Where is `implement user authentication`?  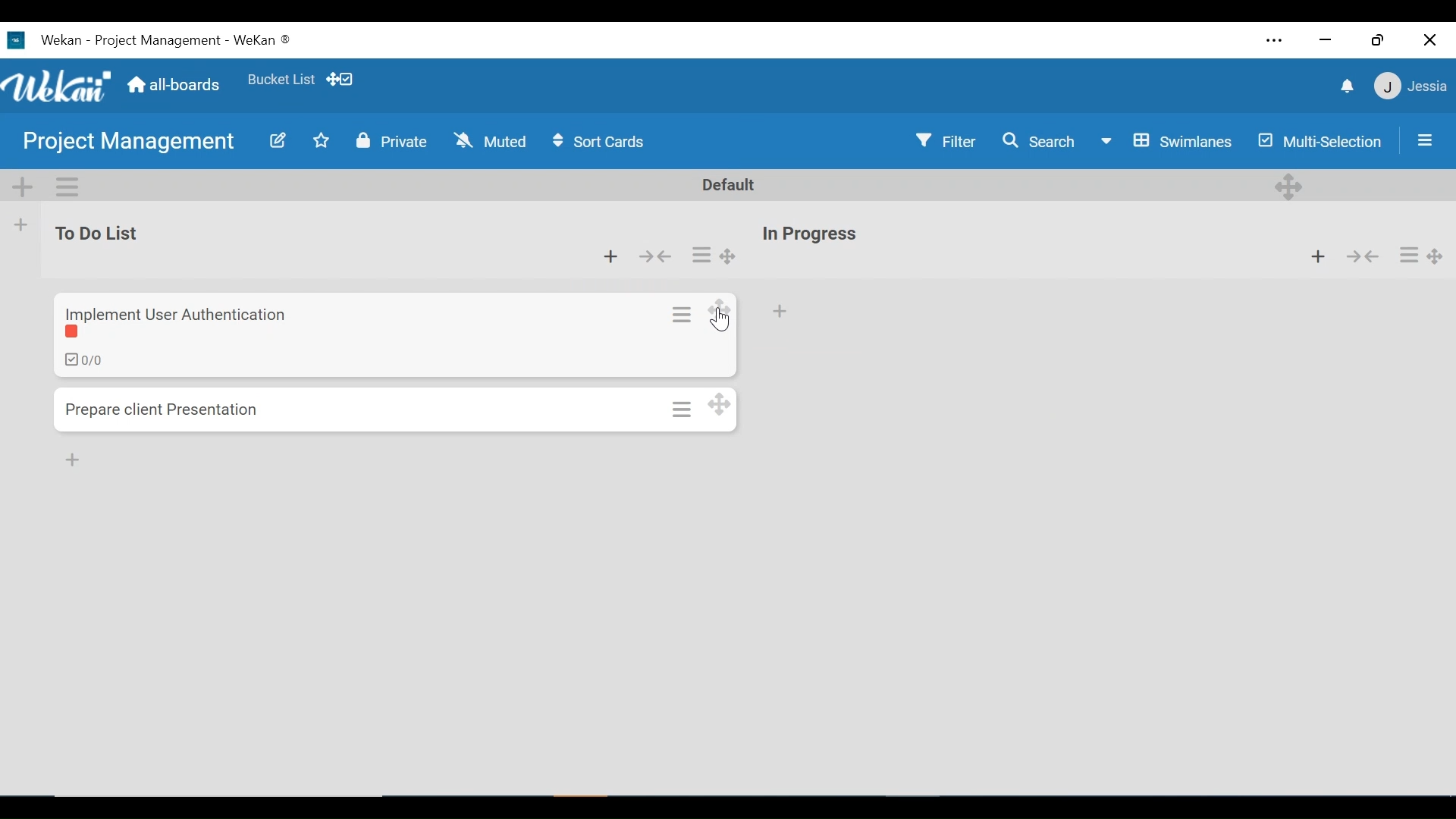
implement user authentication is located at coordinates (180, 311).